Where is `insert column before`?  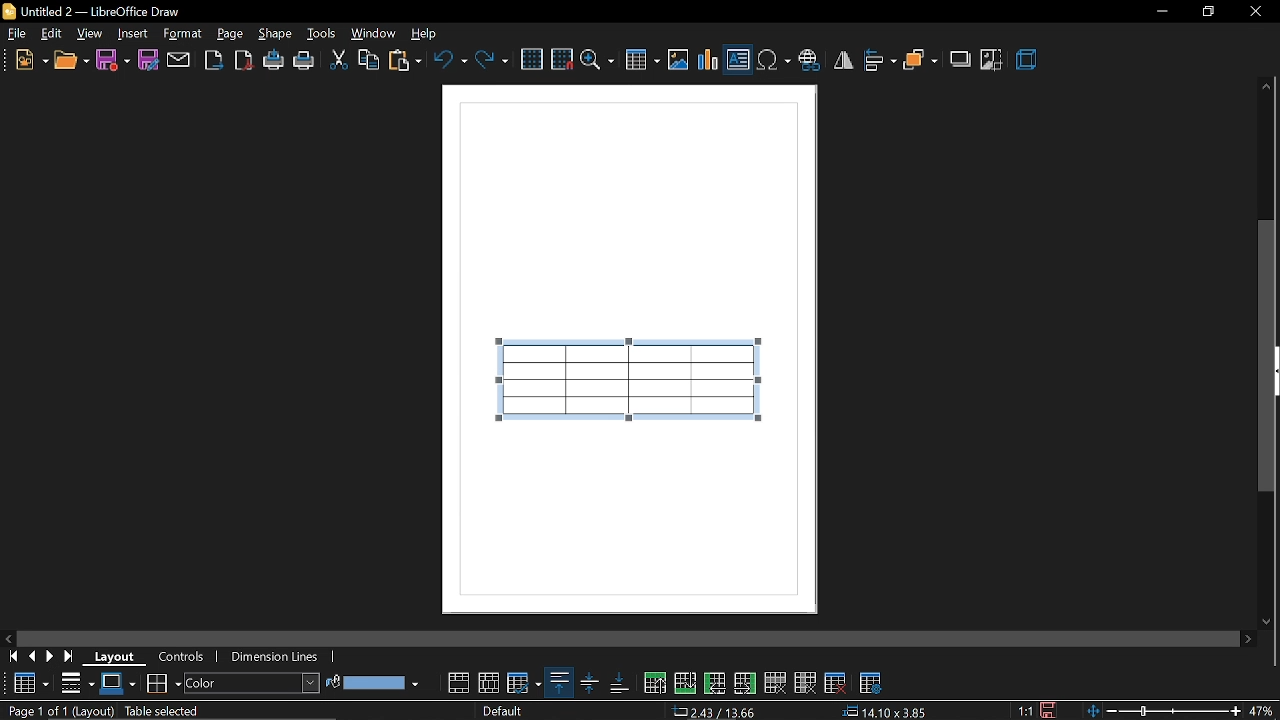
insert column before is located at coordinates (715, 683).